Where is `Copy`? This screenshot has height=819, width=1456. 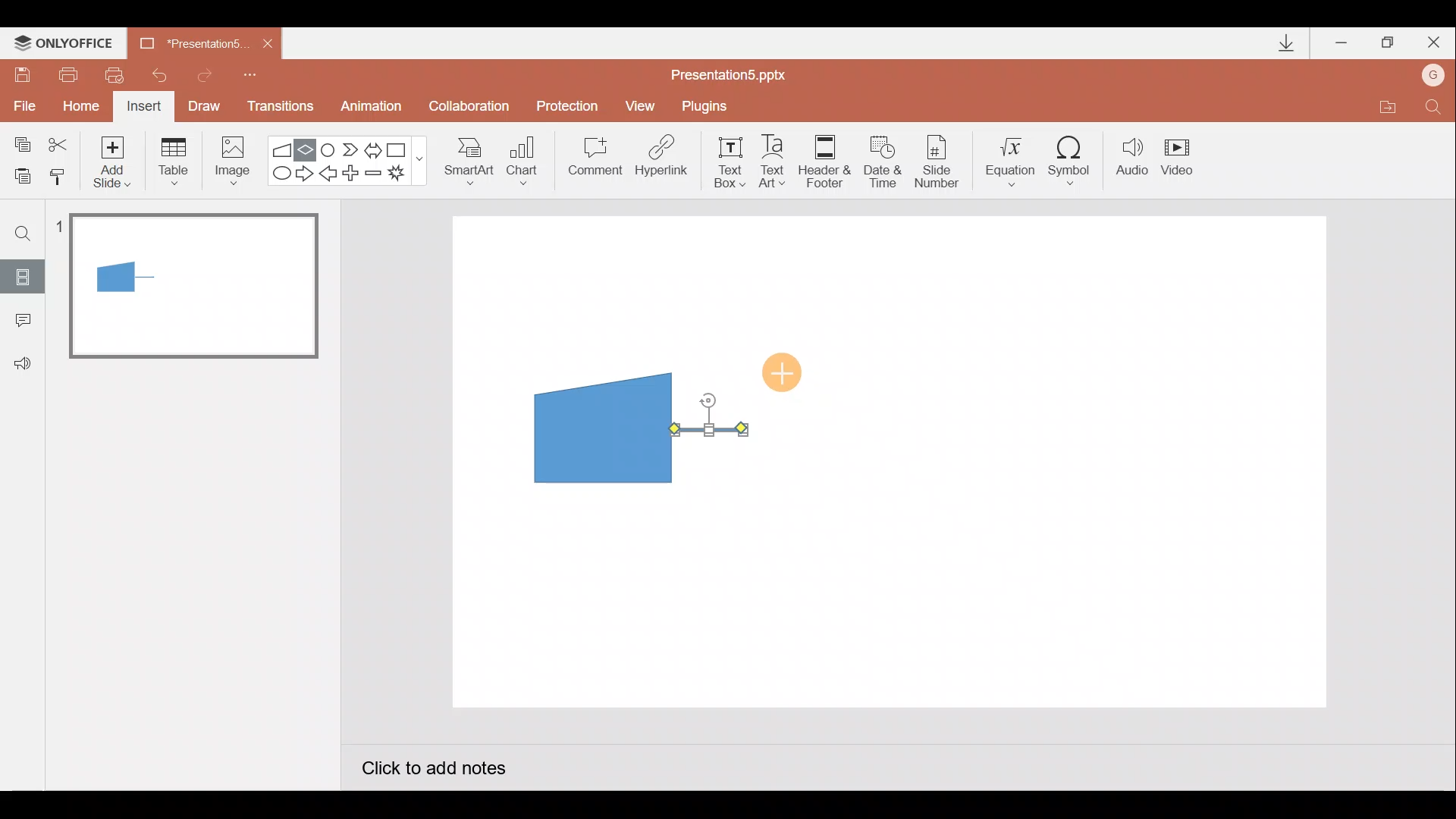 Copy is located at coordinates (20, 142).